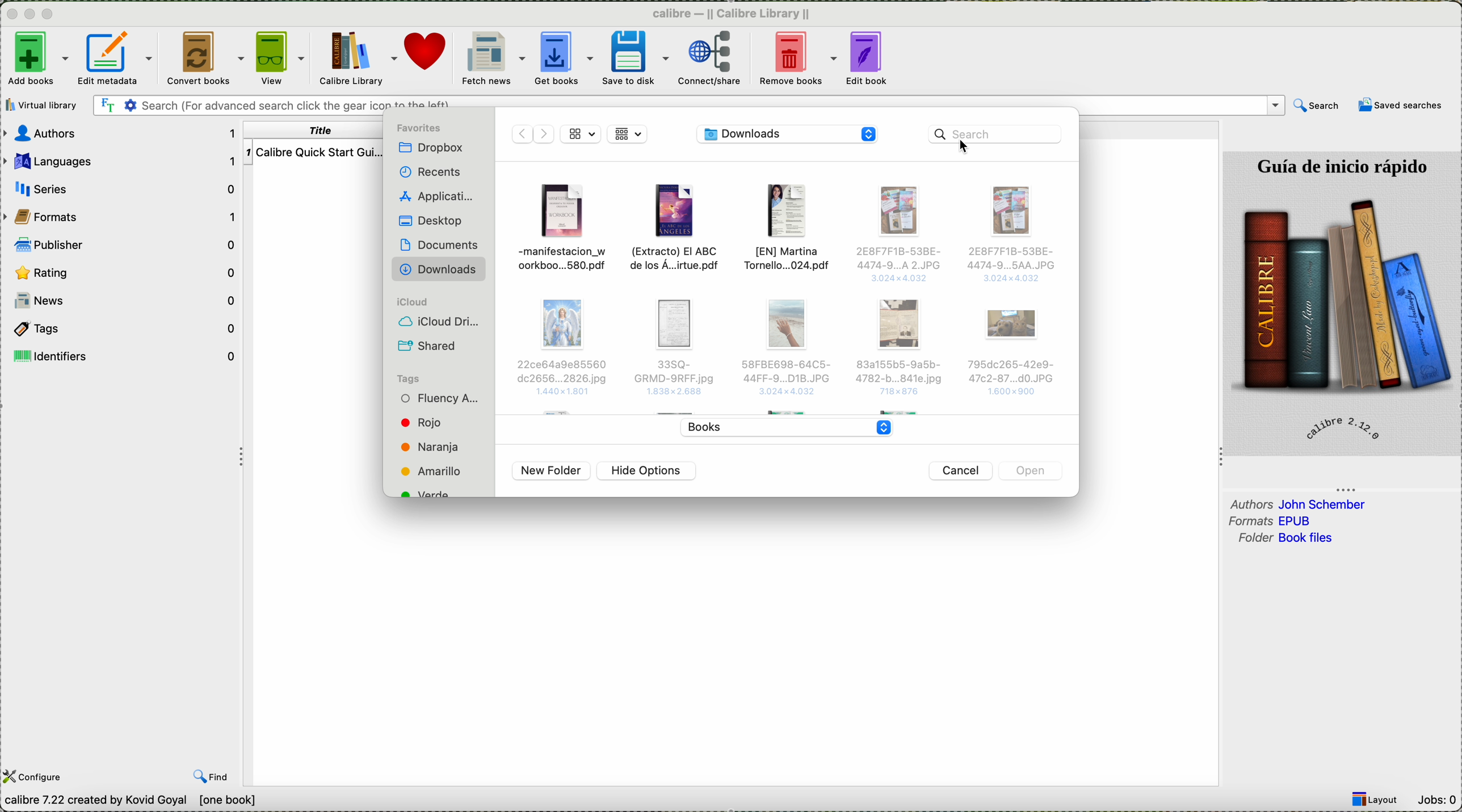 This screenshot has height=812, width=1462. Describe the element at coordinates (439, 269) in the screenshot. I see `downloads` at that location.